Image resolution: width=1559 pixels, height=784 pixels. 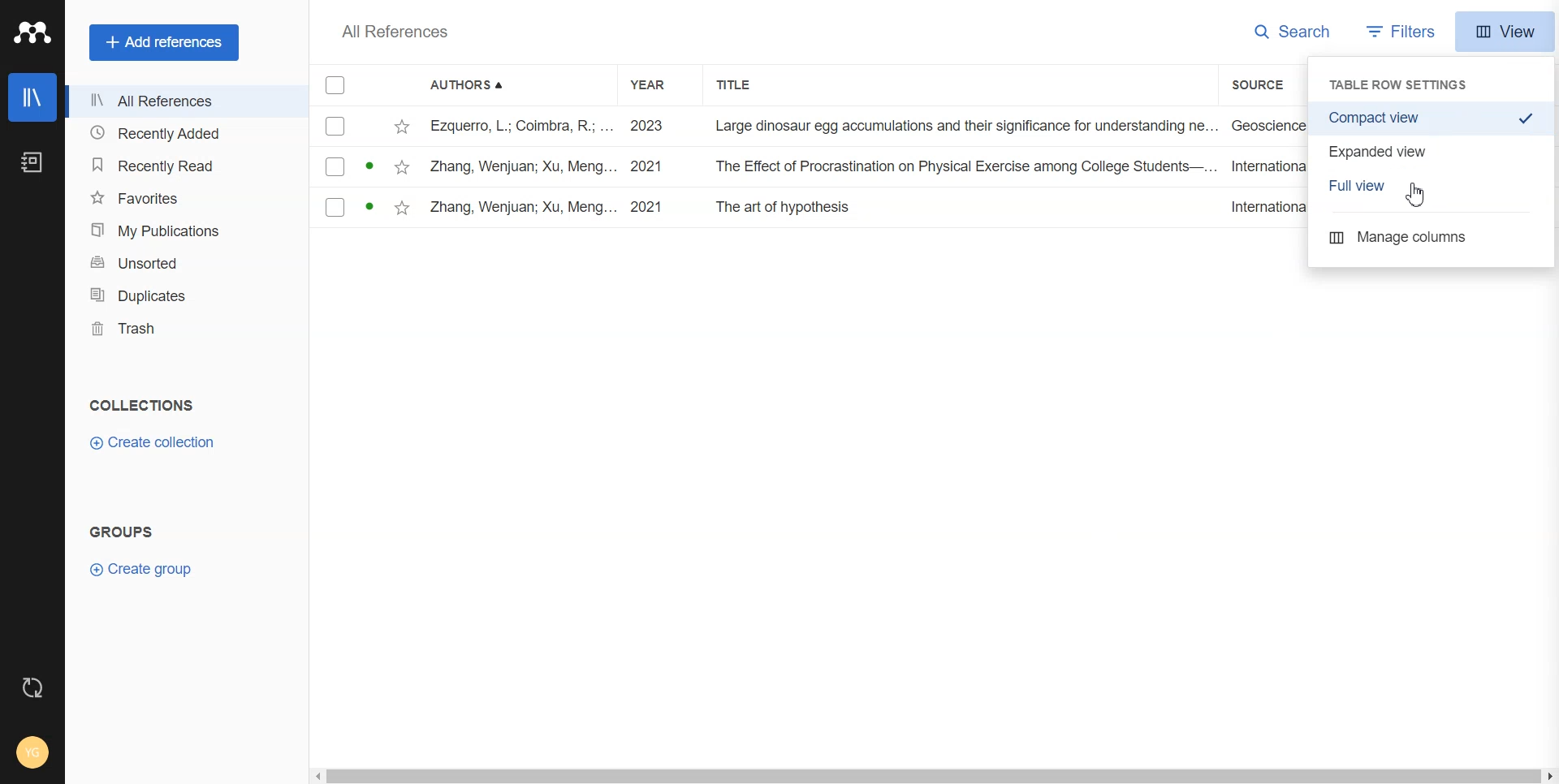 What do you see at coordinates (1432, 238) in the screenshot?
I see `Manage Column` at bounding box center [1432, 238].